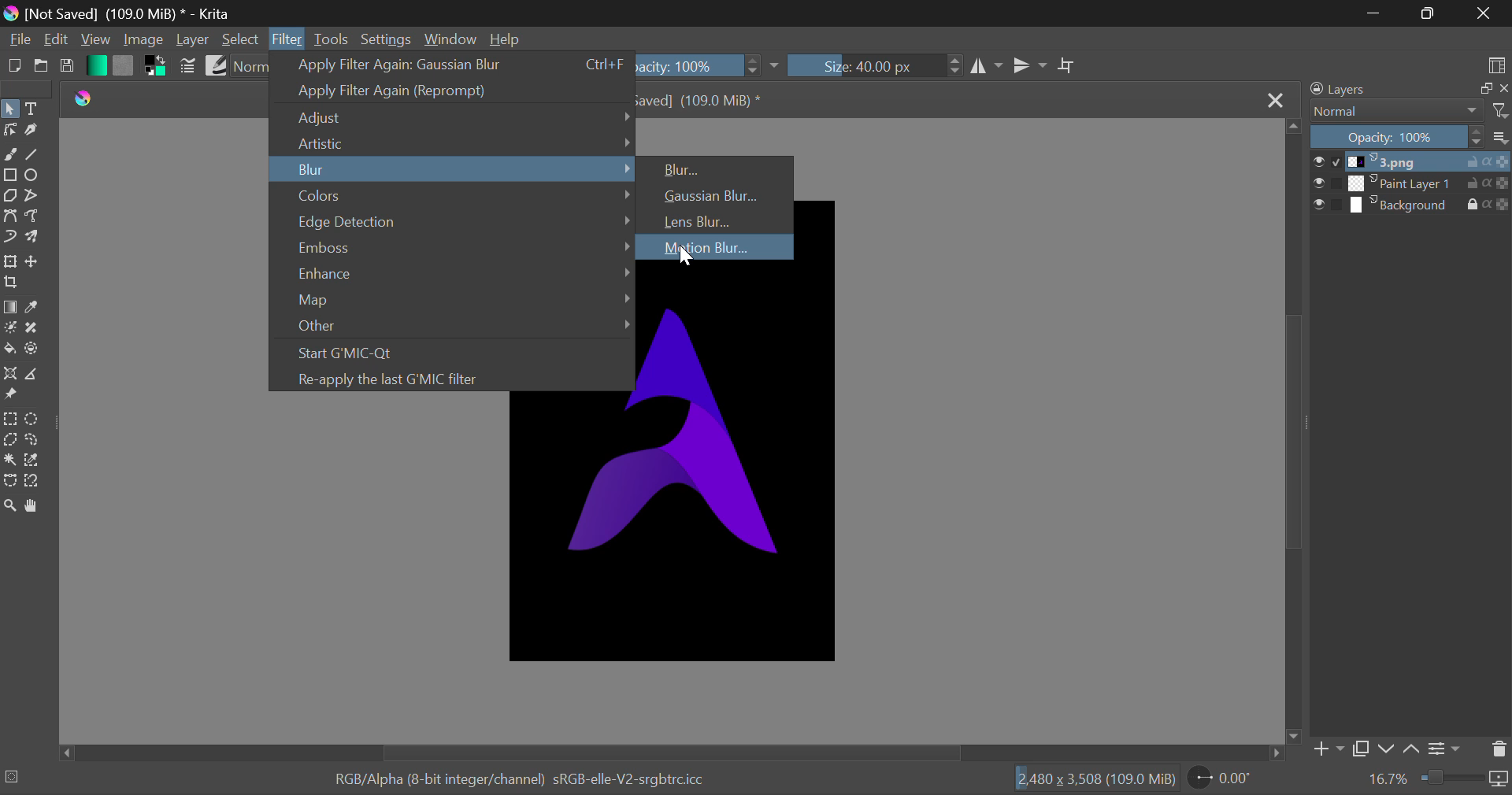 Image resolution: width=1512 pixels, height=795 pixels. Describe the element at coordinates (34, 153) in the screenshot. I see `Line` at that location.